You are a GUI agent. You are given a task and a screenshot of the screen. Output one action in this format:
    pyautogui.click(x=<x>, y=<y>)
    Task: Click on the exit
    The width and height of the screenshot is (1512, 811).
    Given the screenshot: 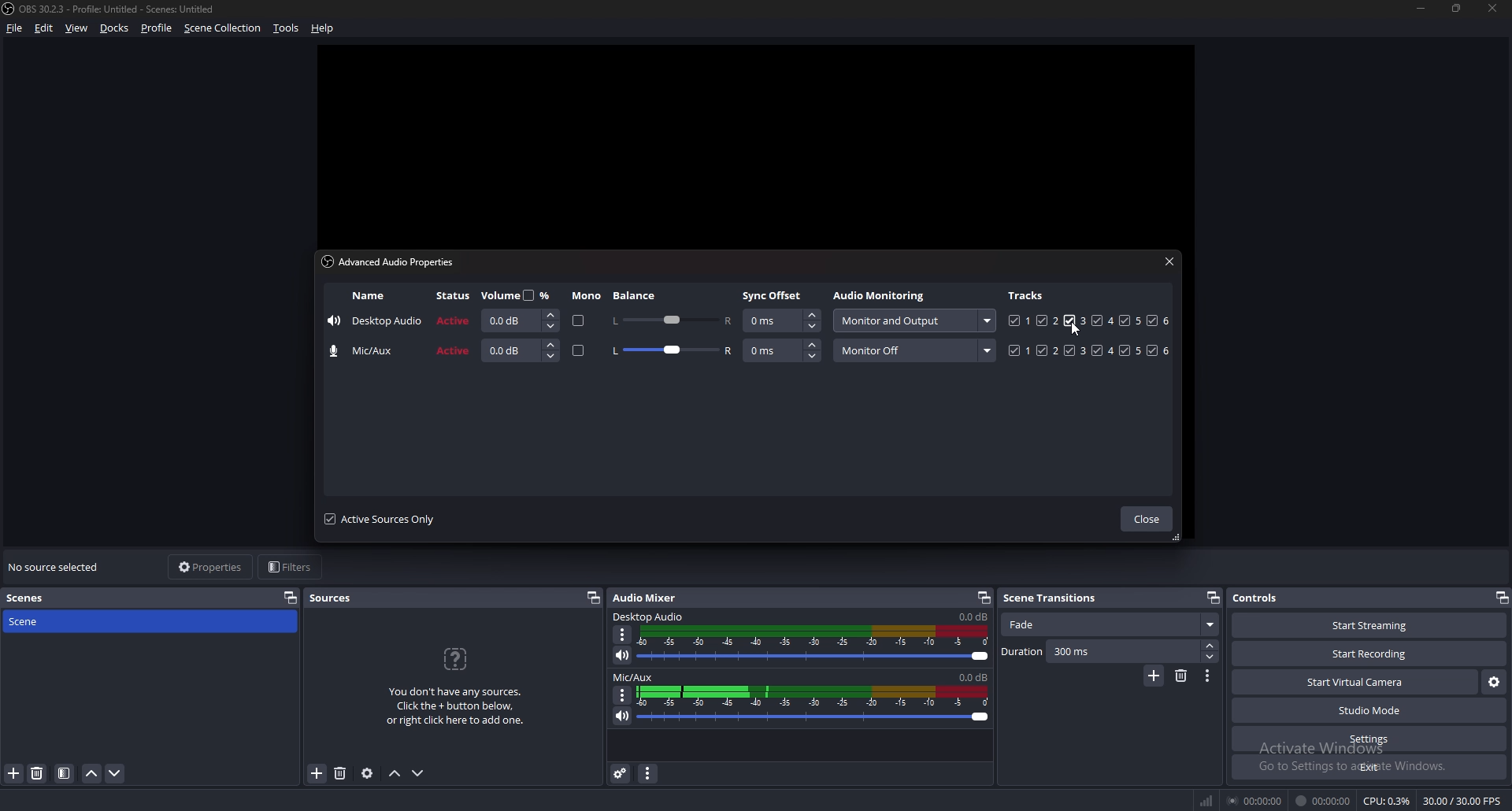 What is the action you would take?
    pyautogui.click(x=1369, y=768)
    